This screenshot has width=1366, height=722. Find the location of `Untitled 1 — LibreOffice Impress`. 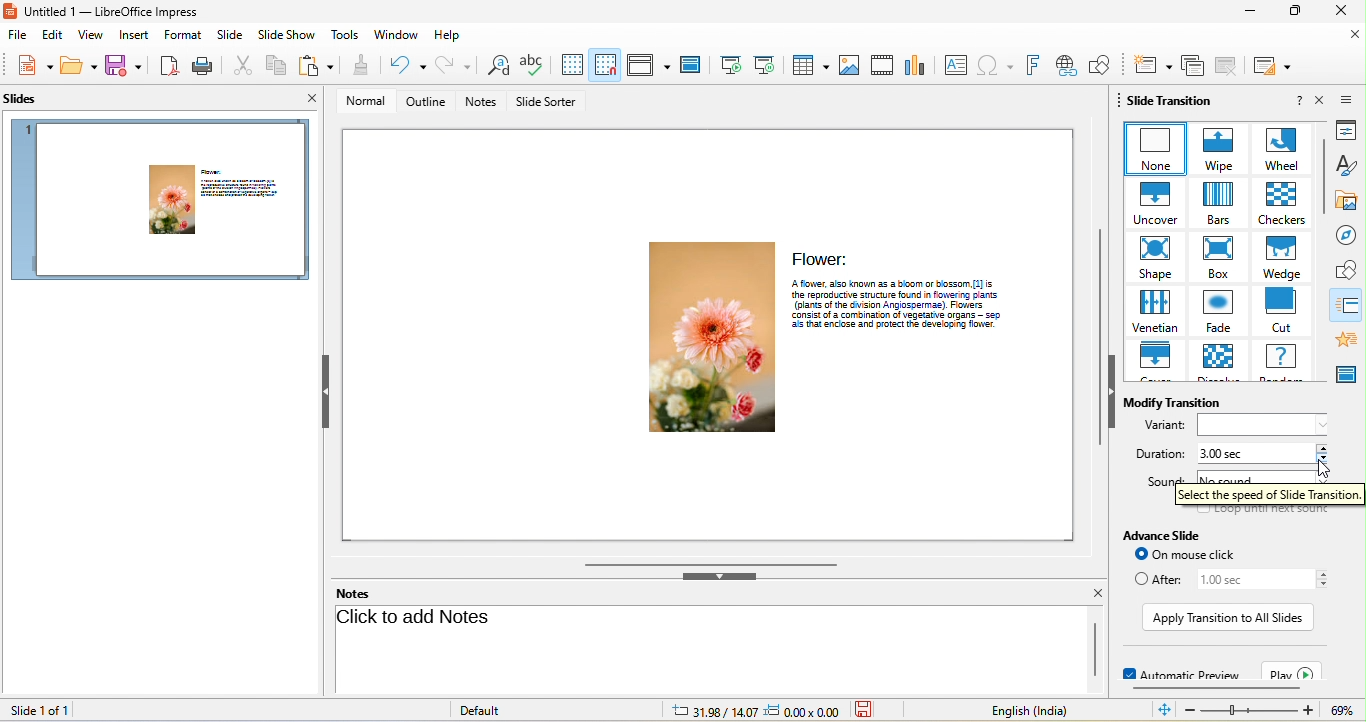

Untitled 1 — LibreOffice Impress is located at coordinates (105, 11).